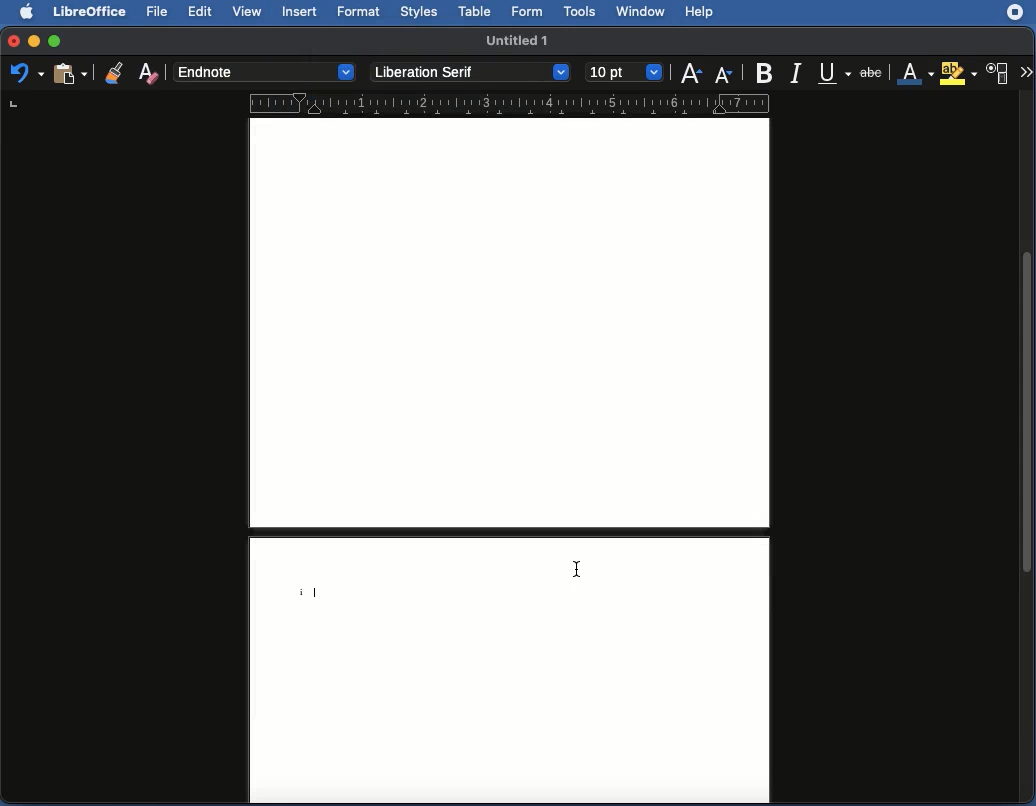  I want to click on Insert, so click(298, 11).